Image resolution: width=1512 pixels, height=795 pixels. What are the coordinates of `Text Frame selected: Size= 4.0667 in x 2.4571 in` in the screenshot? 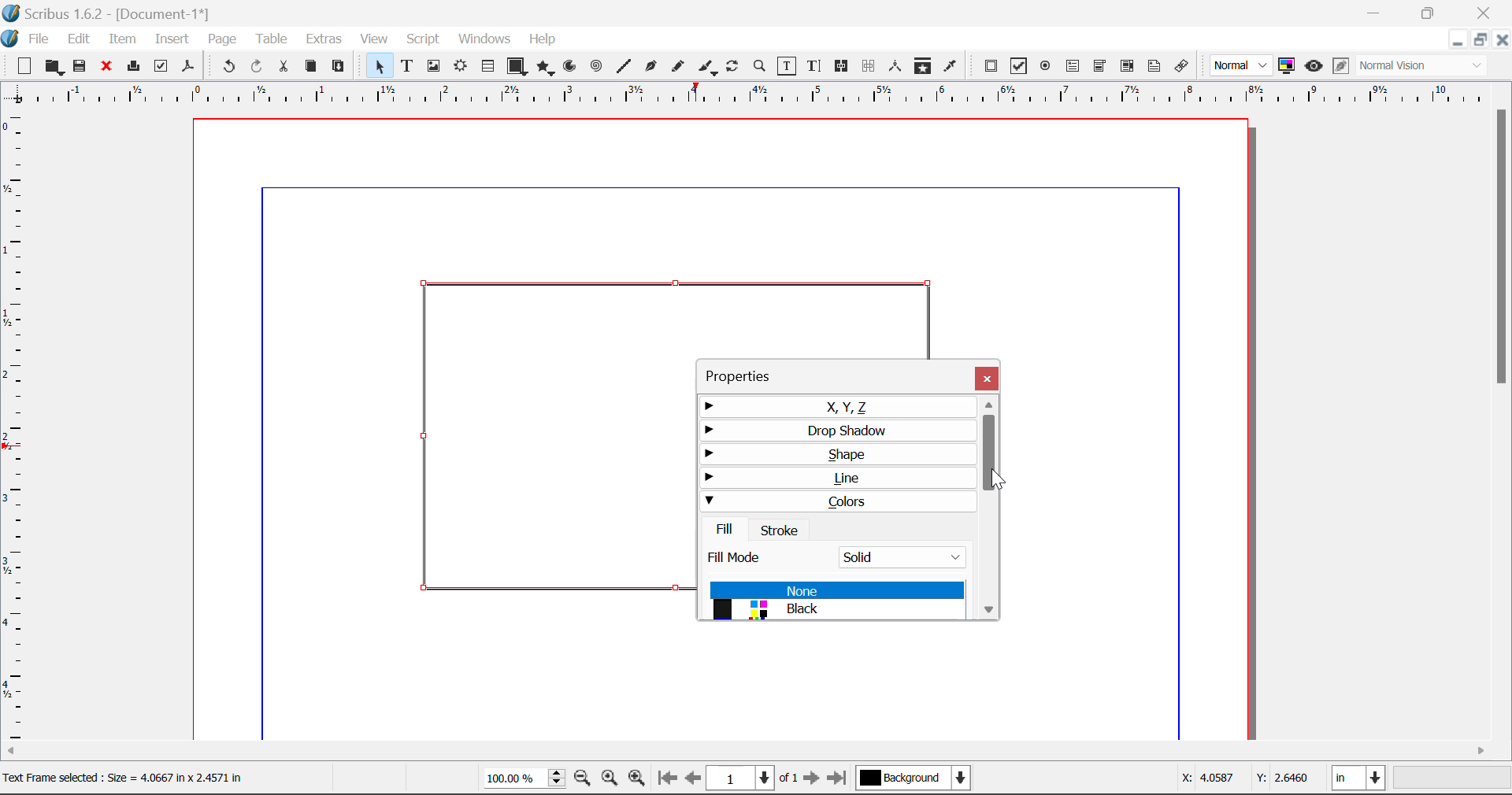 It's located at (123, 776).